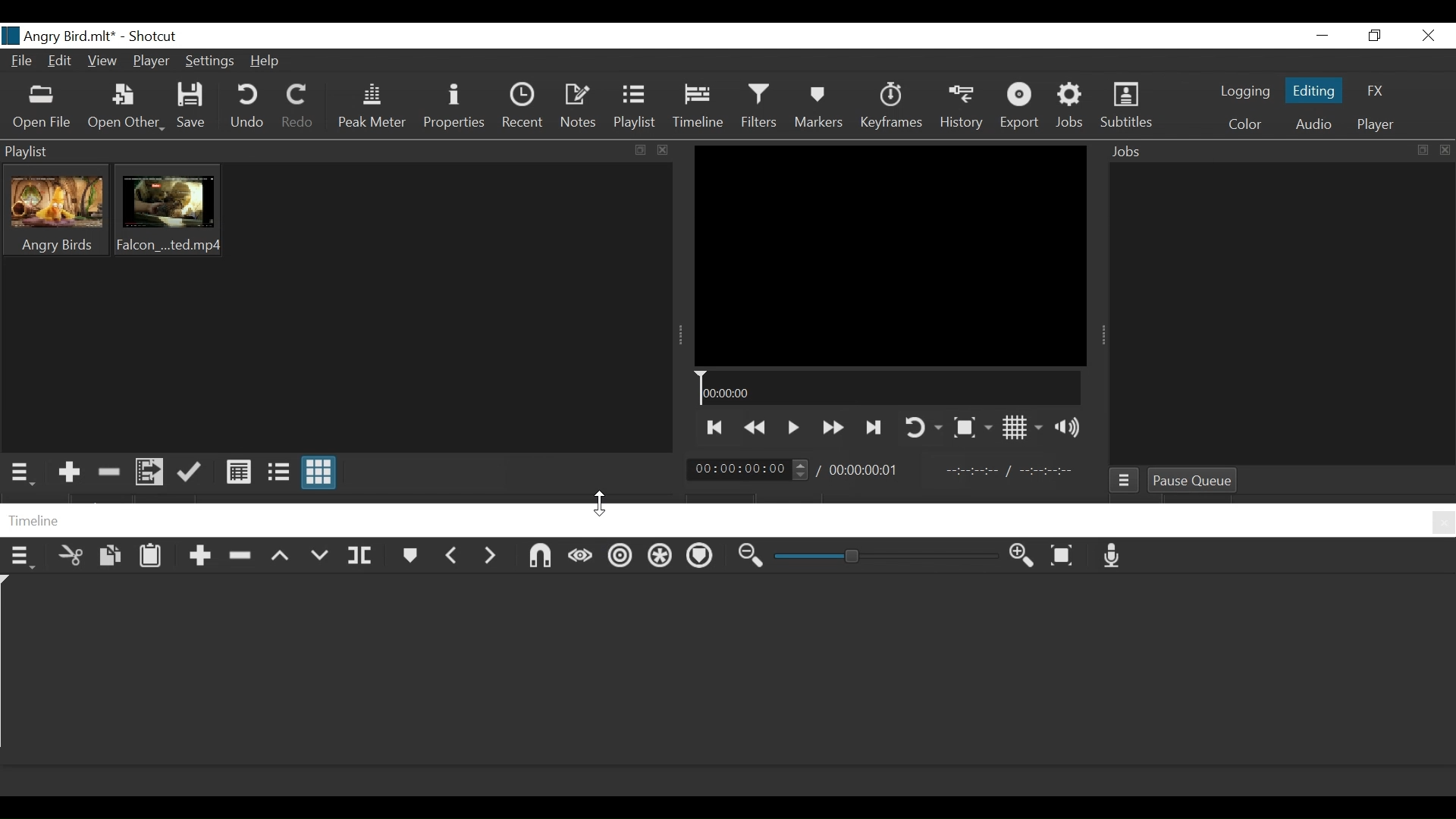 Image resolution: width=1456 pixels, height=819 pixels. Describe the element at coordinates (58, 36) in the screenshot. I see `File name` at that location.